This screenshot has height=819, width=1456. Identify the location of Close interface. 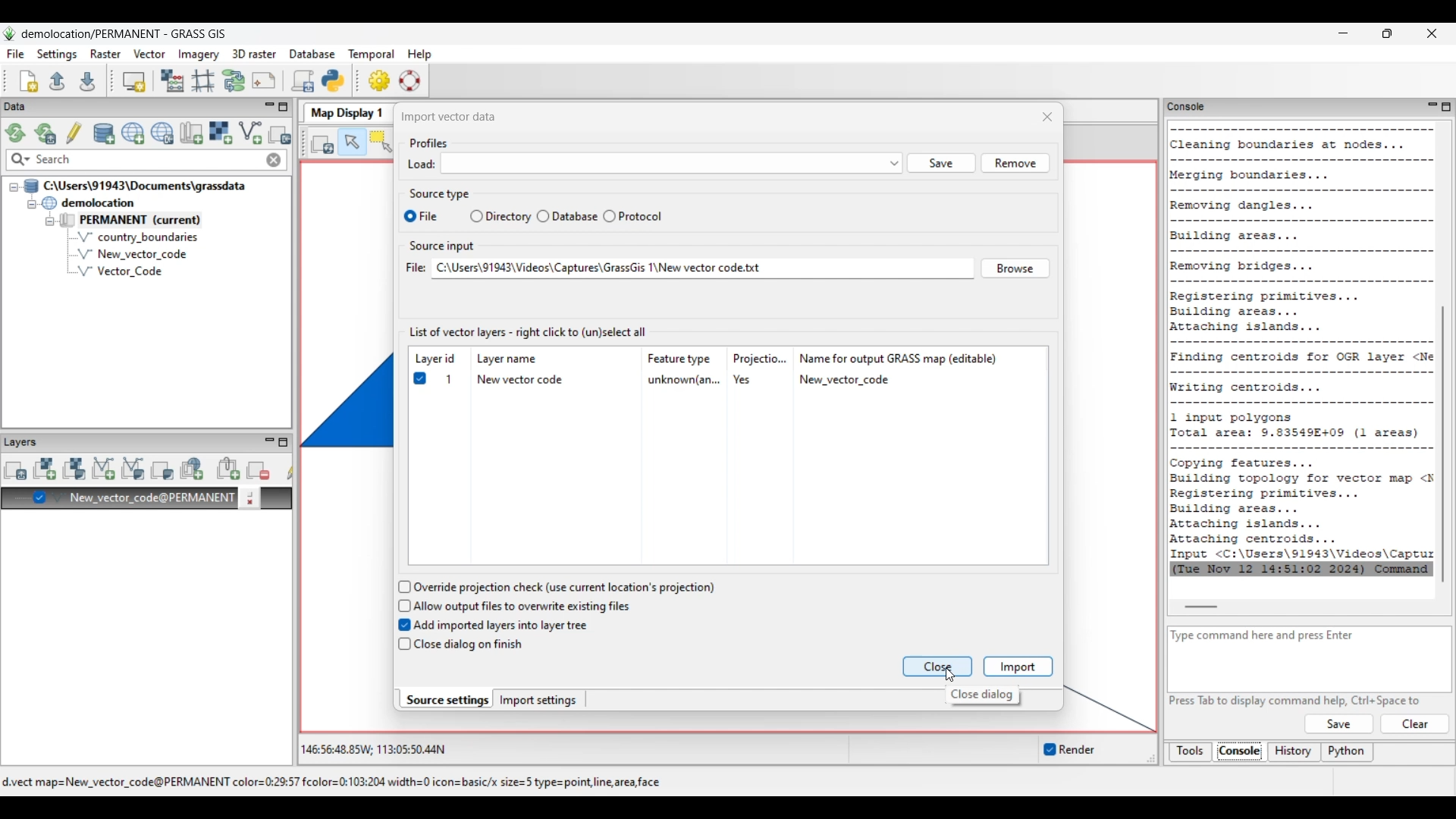
(1431, 33).